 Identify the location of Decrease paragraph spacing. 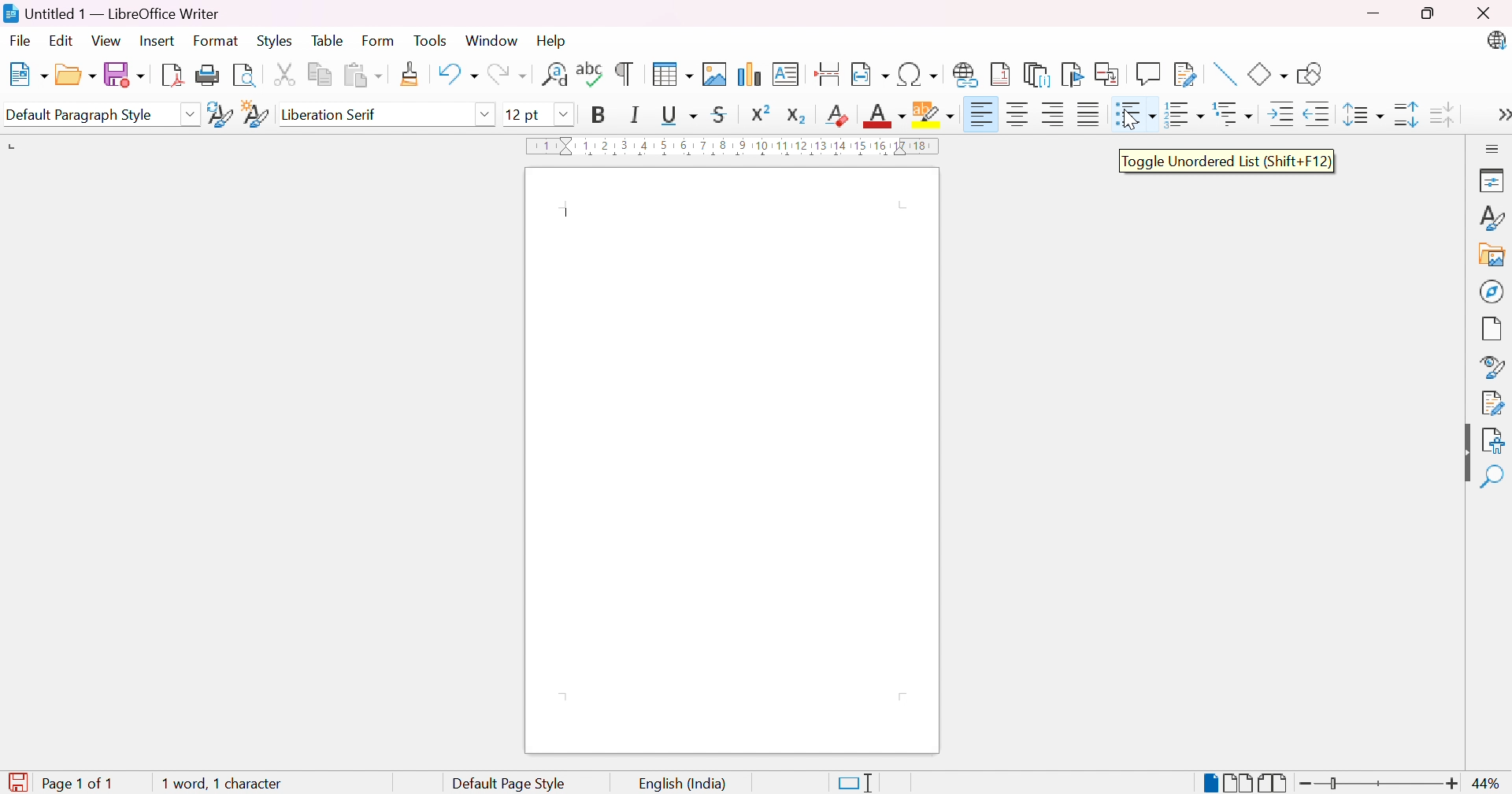
(1444, 116).